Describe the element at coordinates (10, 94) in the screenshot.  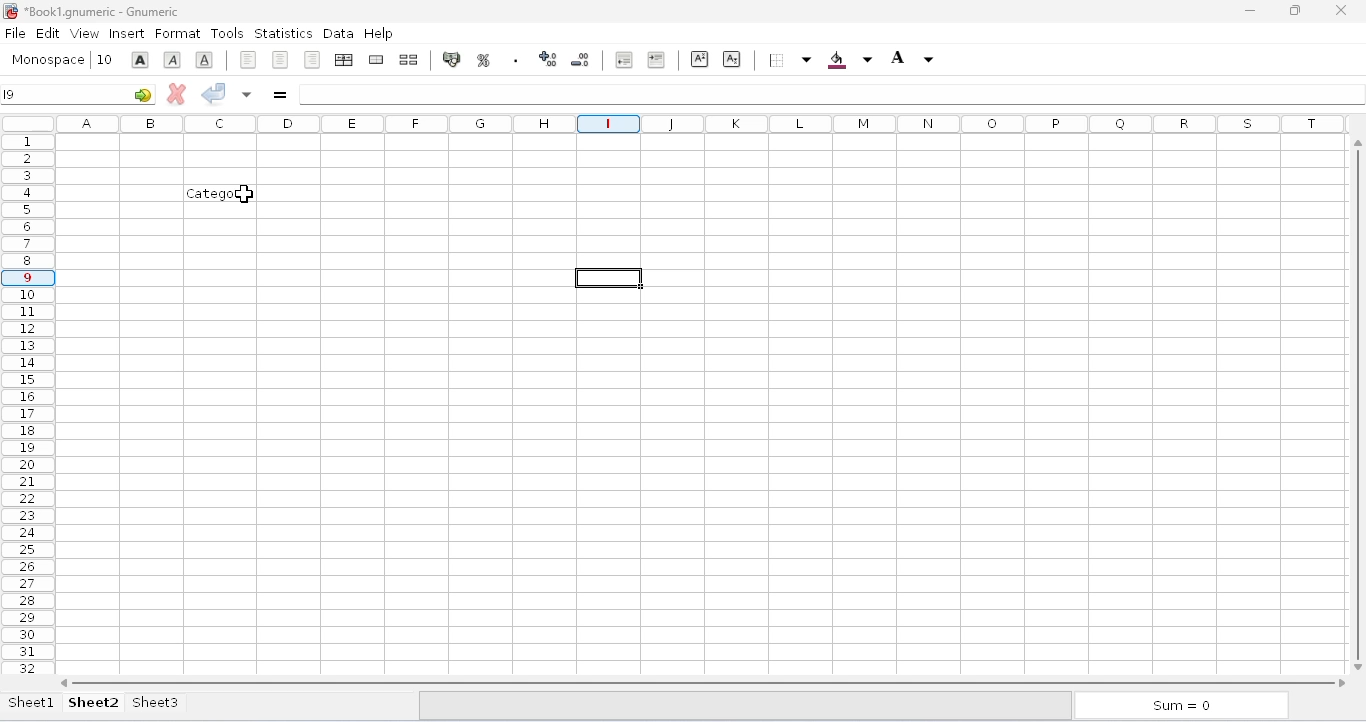
I see `I9` at that location.